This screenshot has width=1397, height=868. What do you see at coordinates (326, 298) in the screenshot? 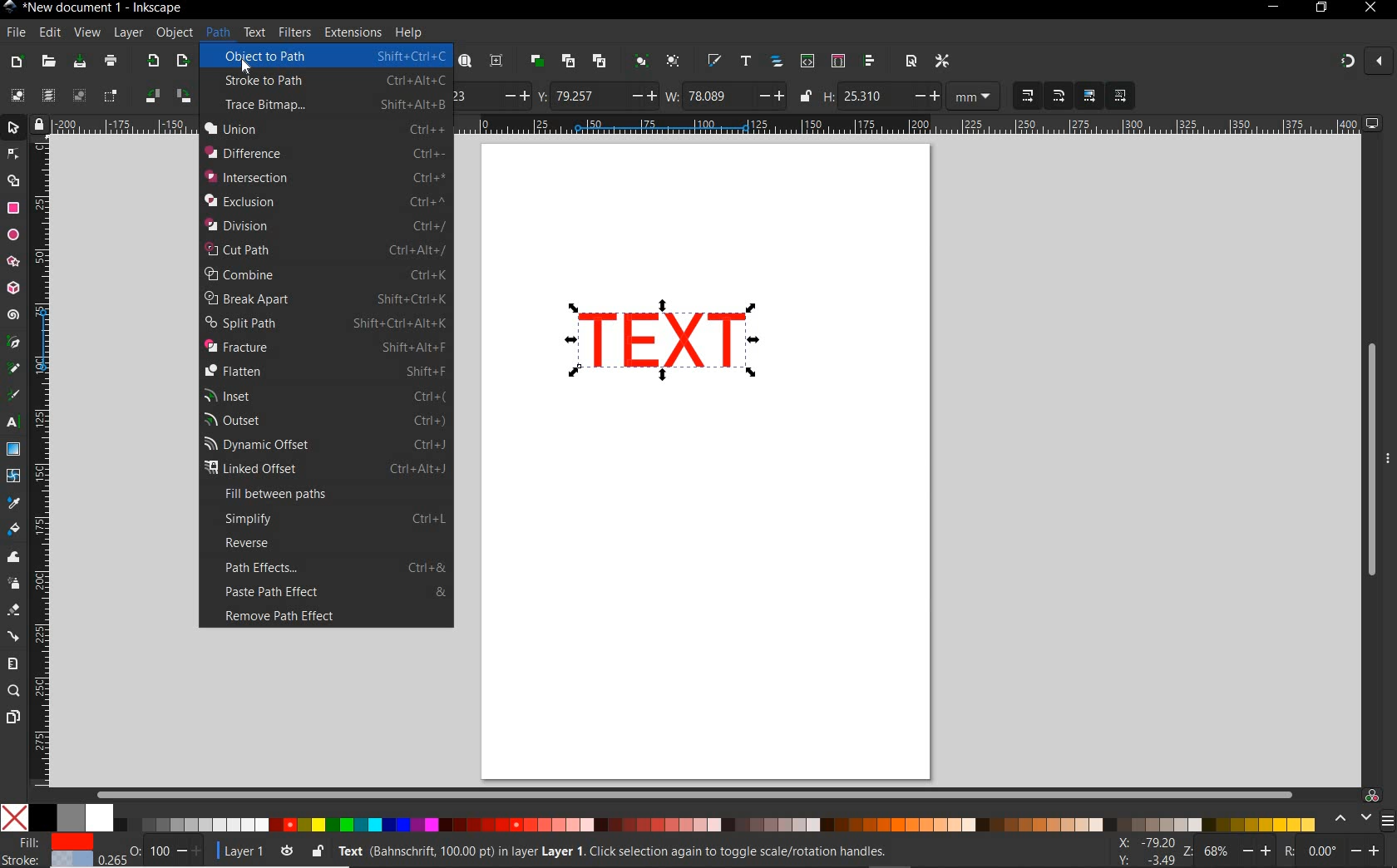
I see `BREAK APART` at bounding box center [326, 298].